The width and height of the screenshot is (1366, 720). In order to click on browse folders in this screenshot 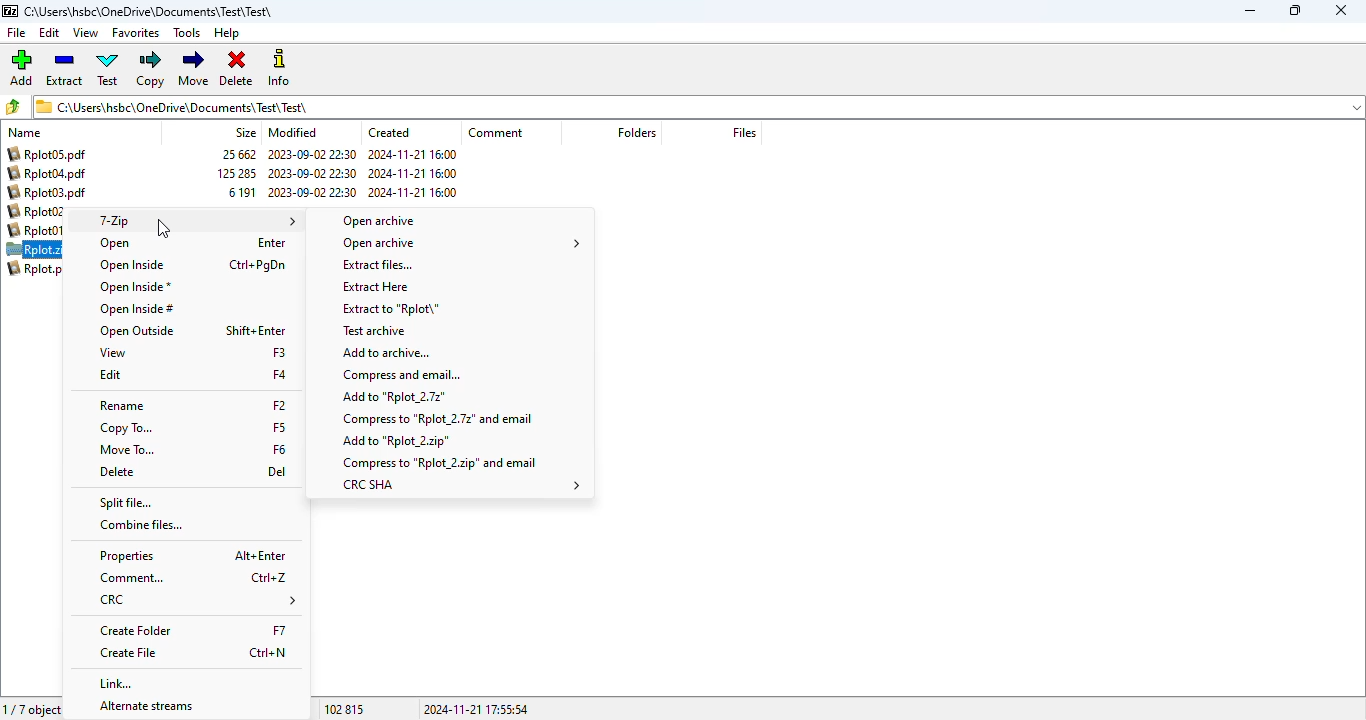, I will do `click(12, 106)`.